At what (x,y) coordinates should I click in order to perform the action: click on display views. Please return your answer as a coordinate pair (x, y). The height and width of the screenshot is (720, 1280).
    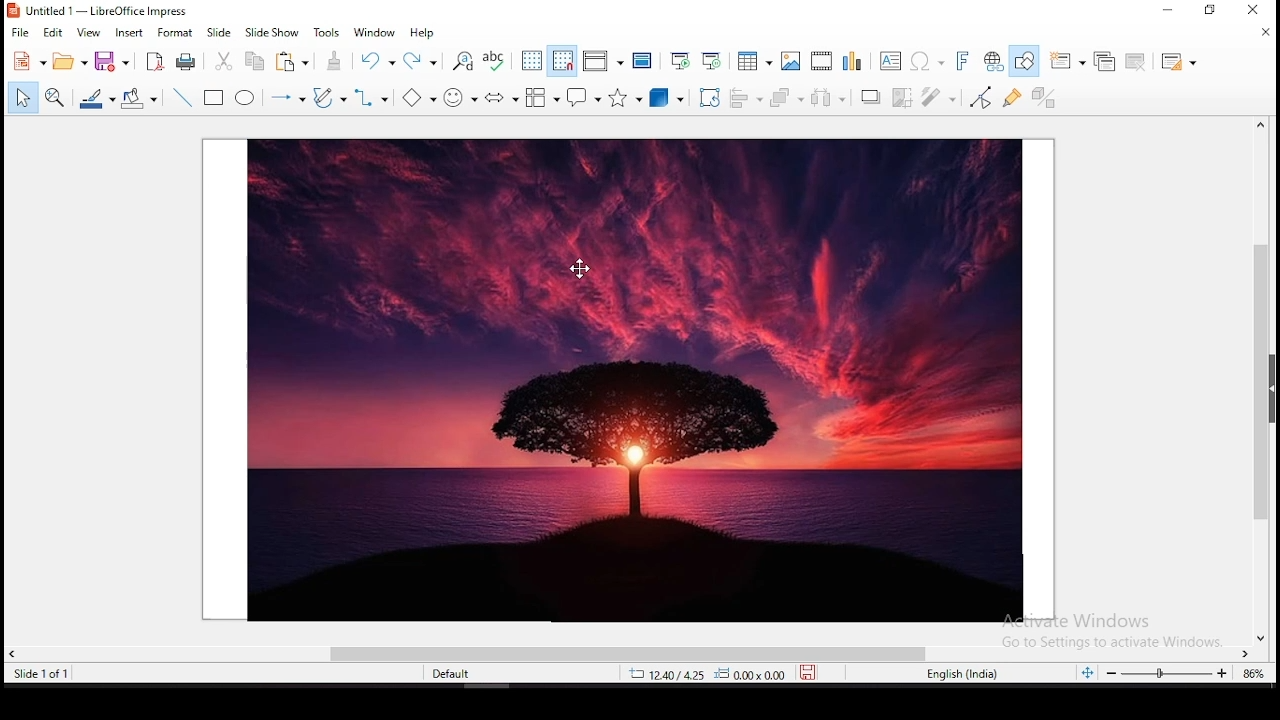
    Looking at the image, I should click on (604, 62).